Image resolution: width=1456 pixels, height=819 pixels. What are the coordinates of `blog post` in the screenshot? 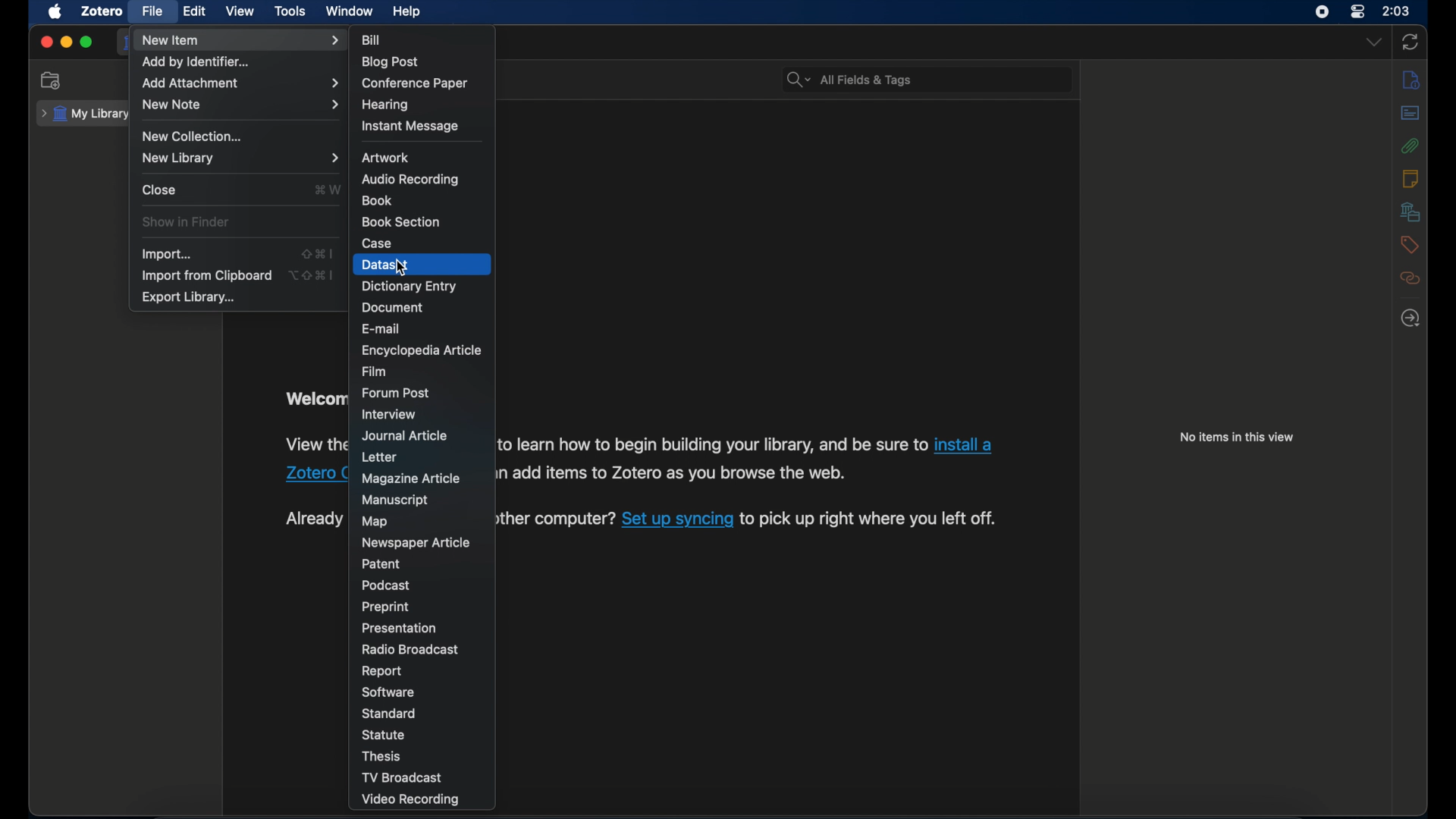 It's located at (390, 62).